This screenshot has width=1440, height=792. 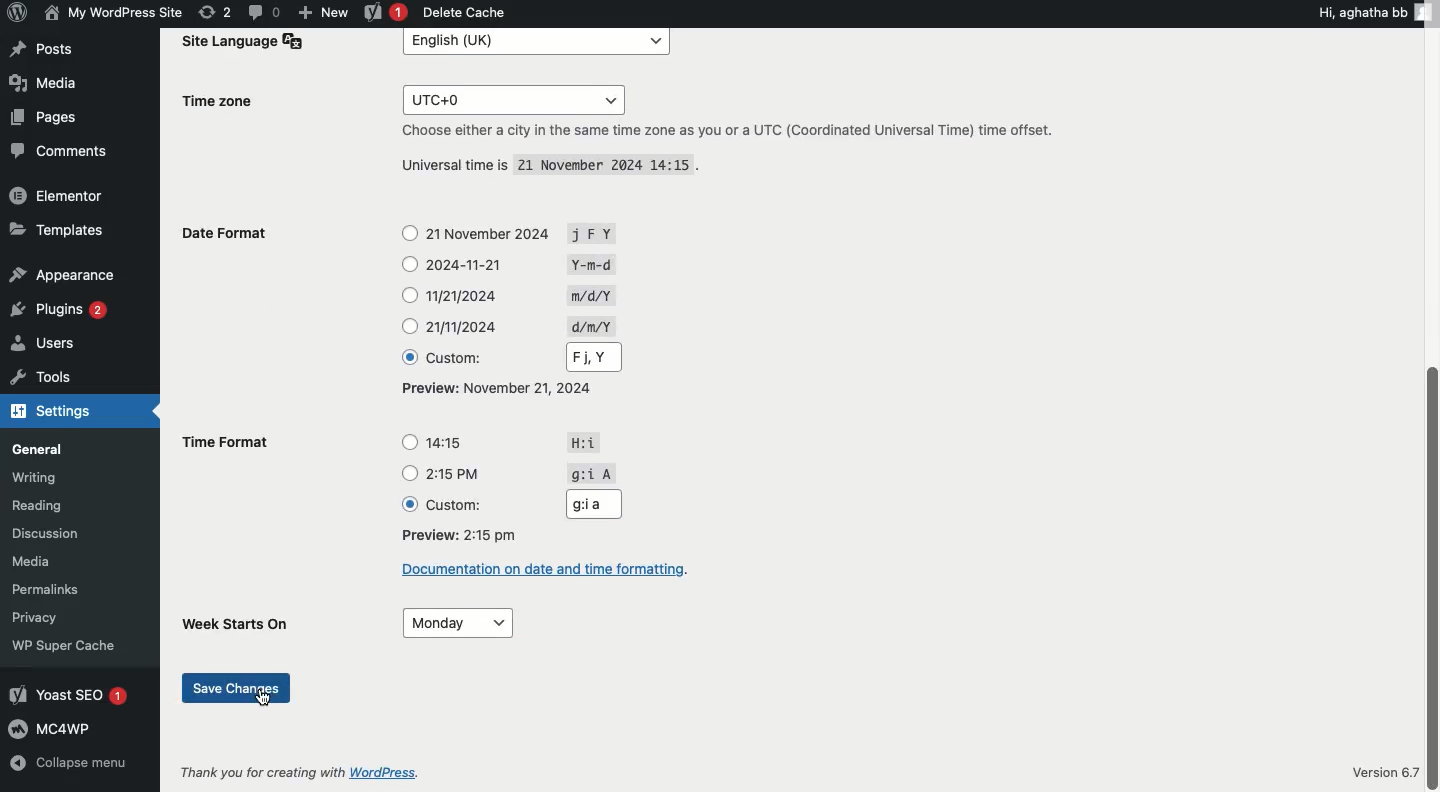 I want to click on  2024-11-21 Y-m-d, so click(x=514, y=267).